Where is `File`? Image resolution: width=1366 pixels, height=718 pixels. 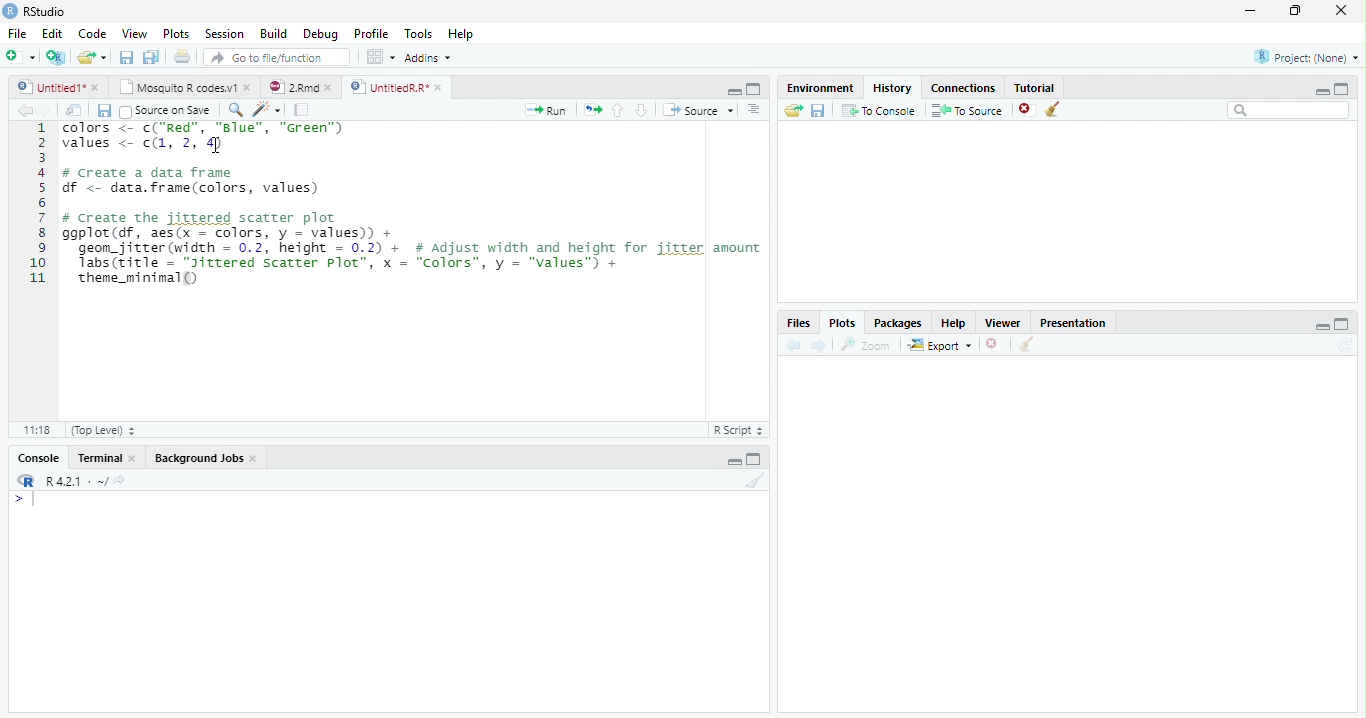 File is located at coordinates (18, 34).